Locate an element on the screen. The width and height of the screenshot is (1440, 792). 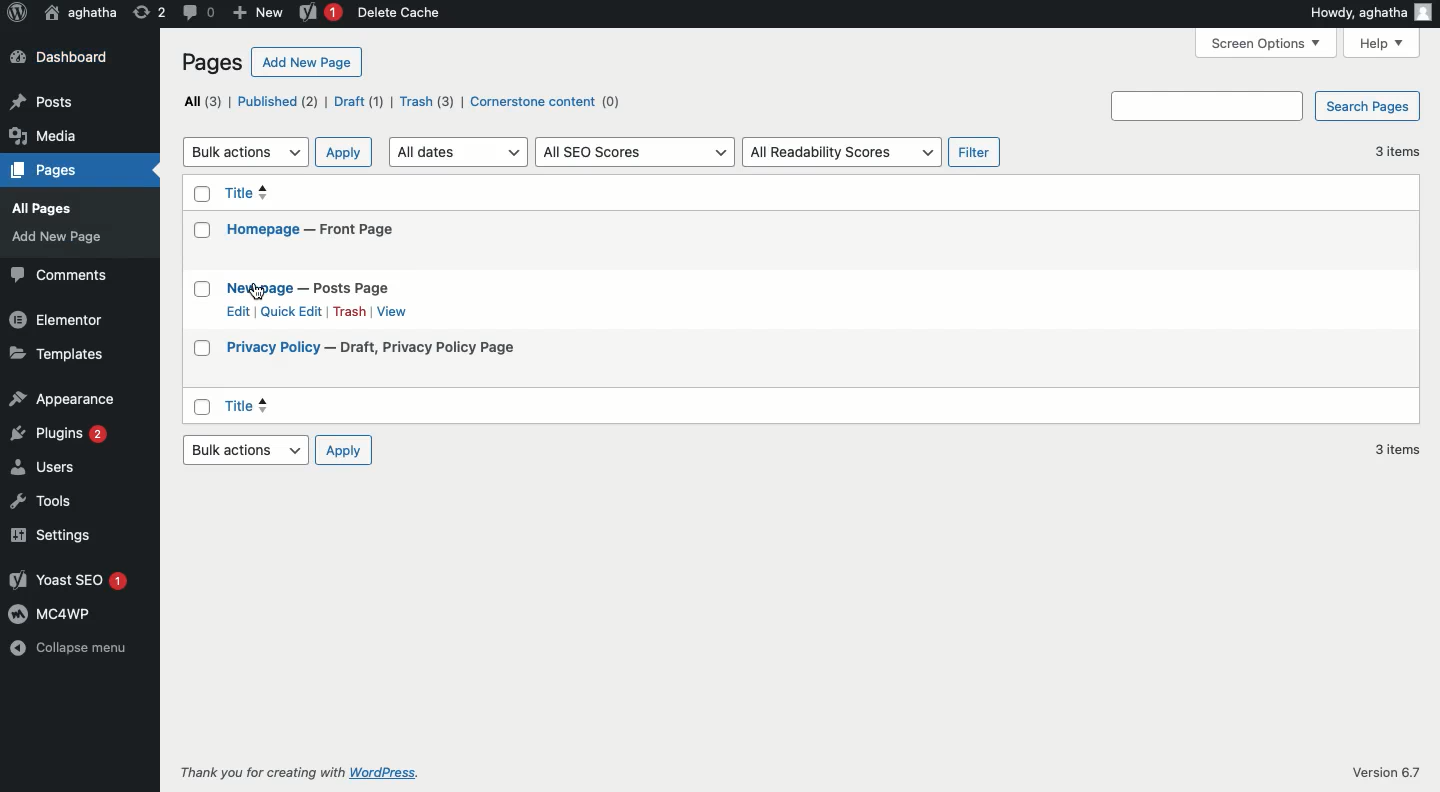
Comment is located at coordinates (197, 12).